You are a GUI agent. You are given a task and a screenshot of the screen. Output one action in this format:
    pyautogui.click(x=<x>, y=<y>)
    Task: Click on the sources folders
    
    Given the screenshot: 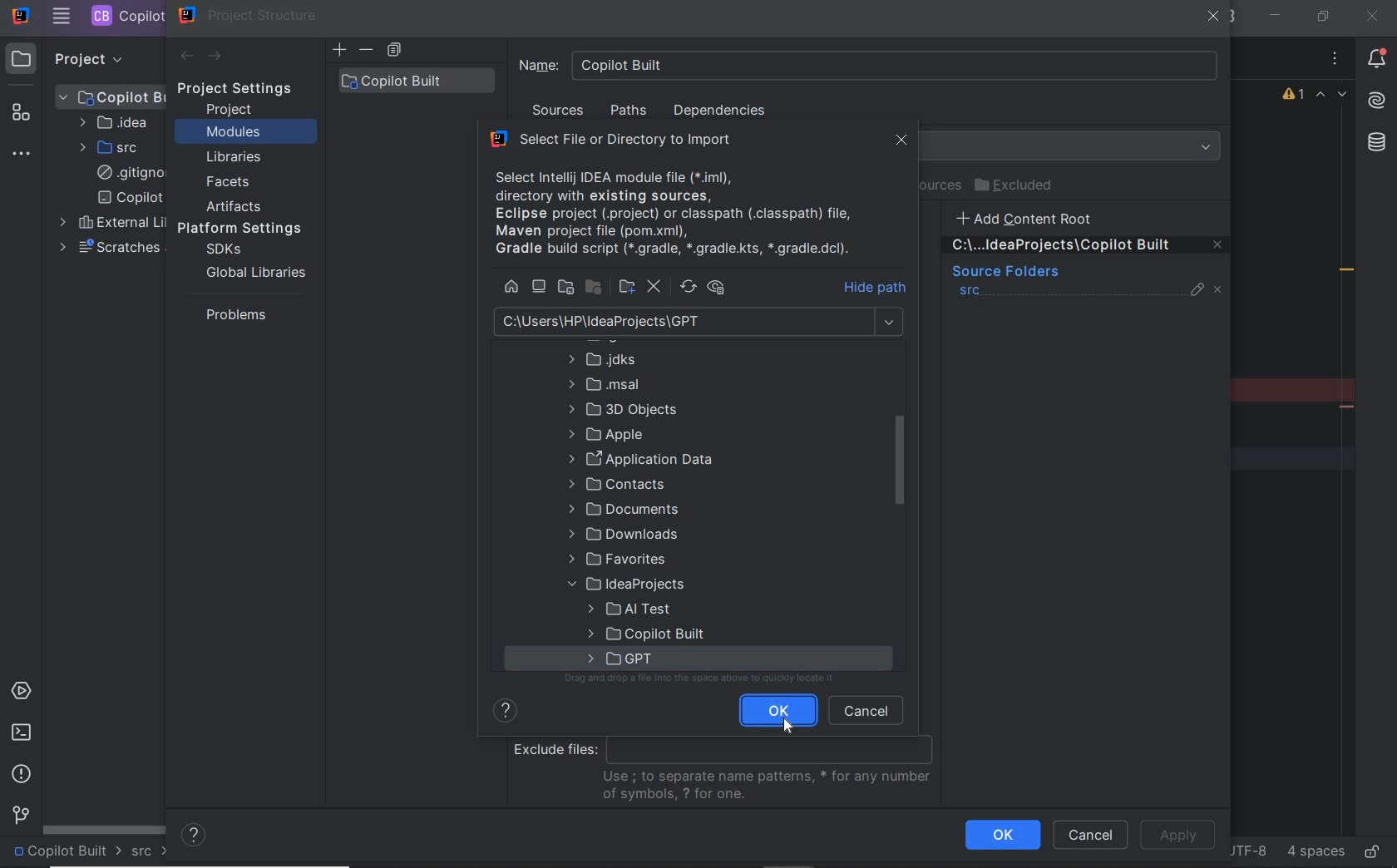 What is the action you would take?
    pyautogui.click(x=1004, y=273)
    